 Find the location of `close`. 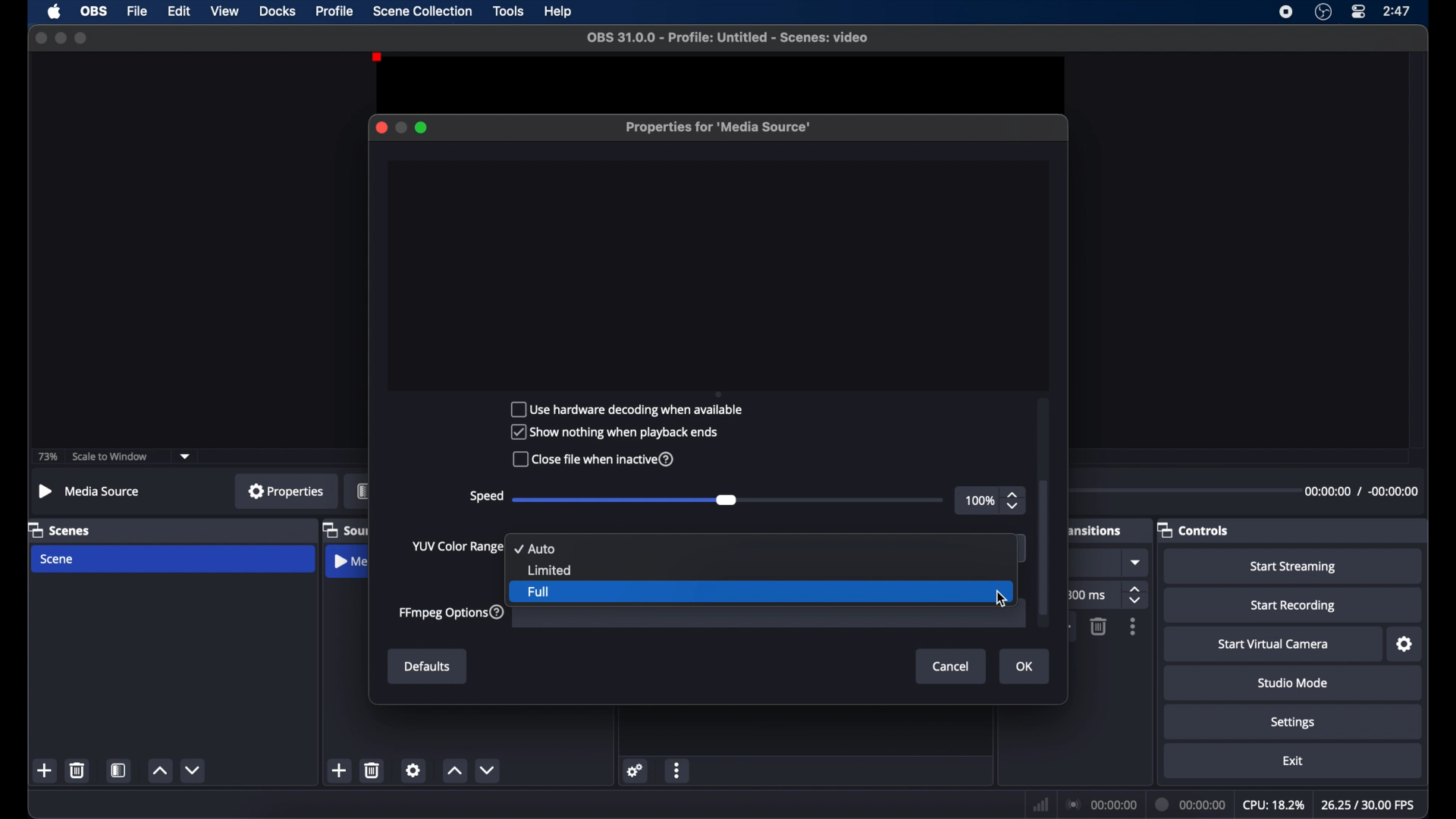

close is located at coordinates (40, 37).